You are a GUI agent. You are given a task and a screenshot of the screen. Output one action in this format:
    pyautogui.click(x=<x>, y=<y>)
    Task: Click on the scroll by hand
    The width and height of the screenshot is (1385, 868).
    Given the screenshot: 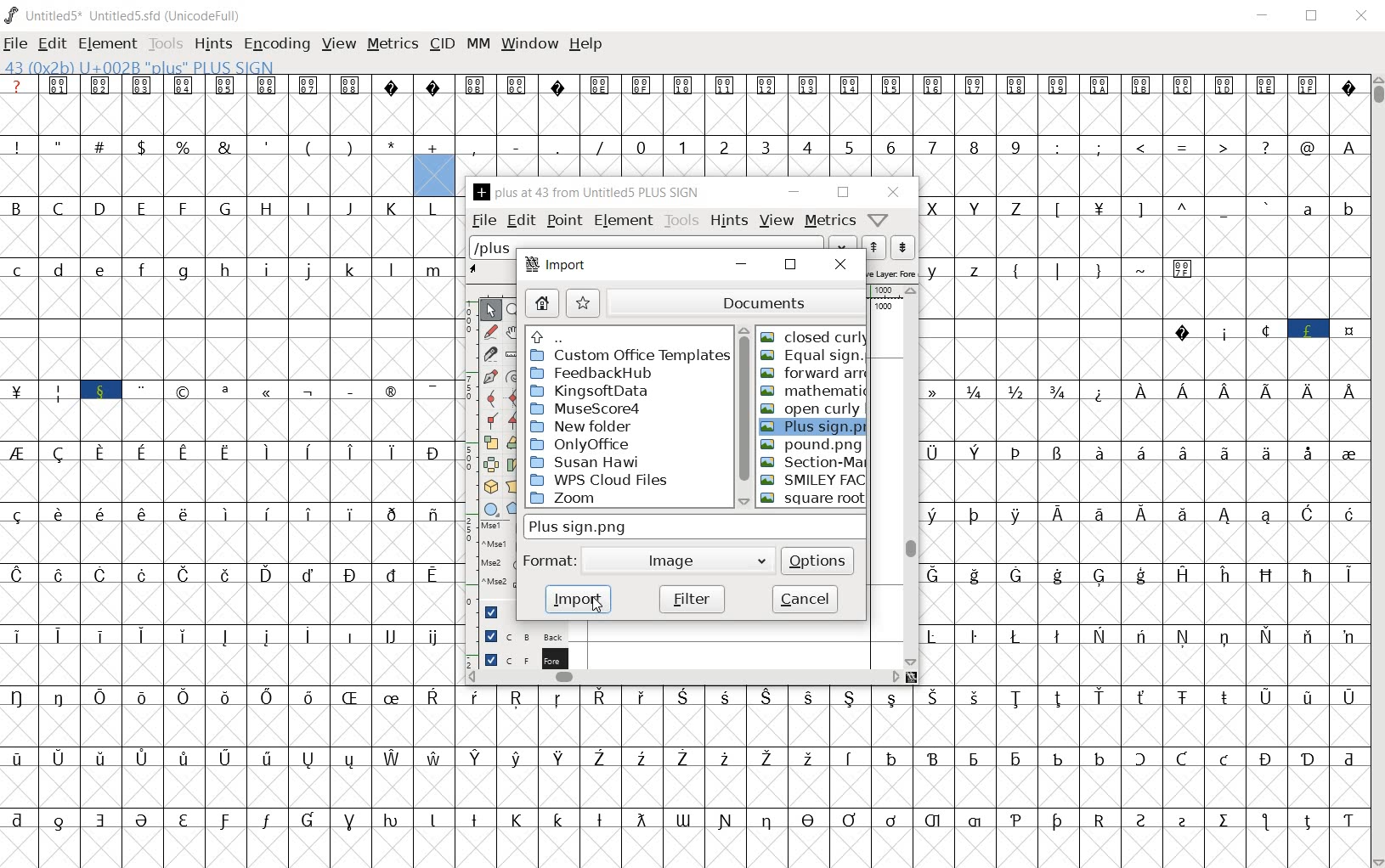 What is the action you would take?
    pyautogui.click(x=512, y=334)
    